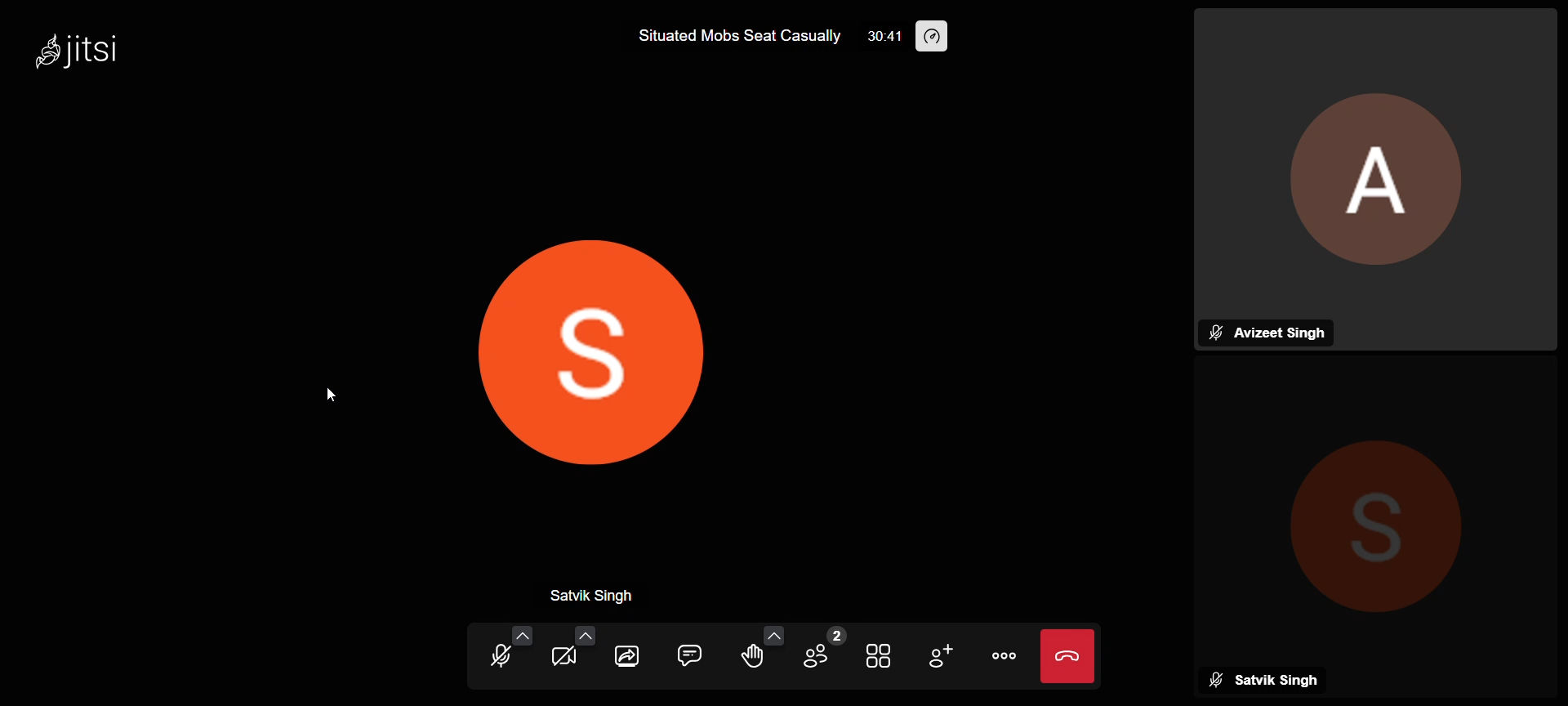  Describe the element at coordinates (105, 53) in the screenshot. I see `jitsi` at that location.